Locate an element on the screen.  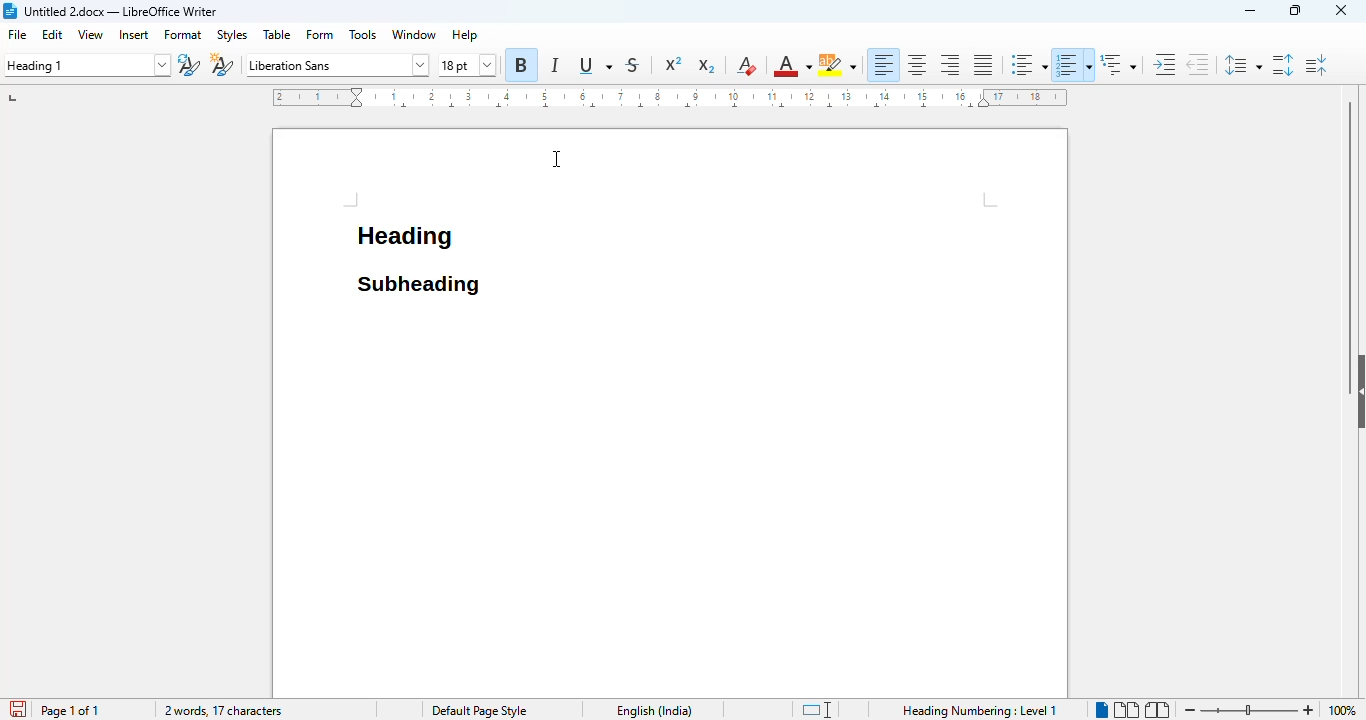
increase paragraph spacing is located at coordinates (1283, 64).